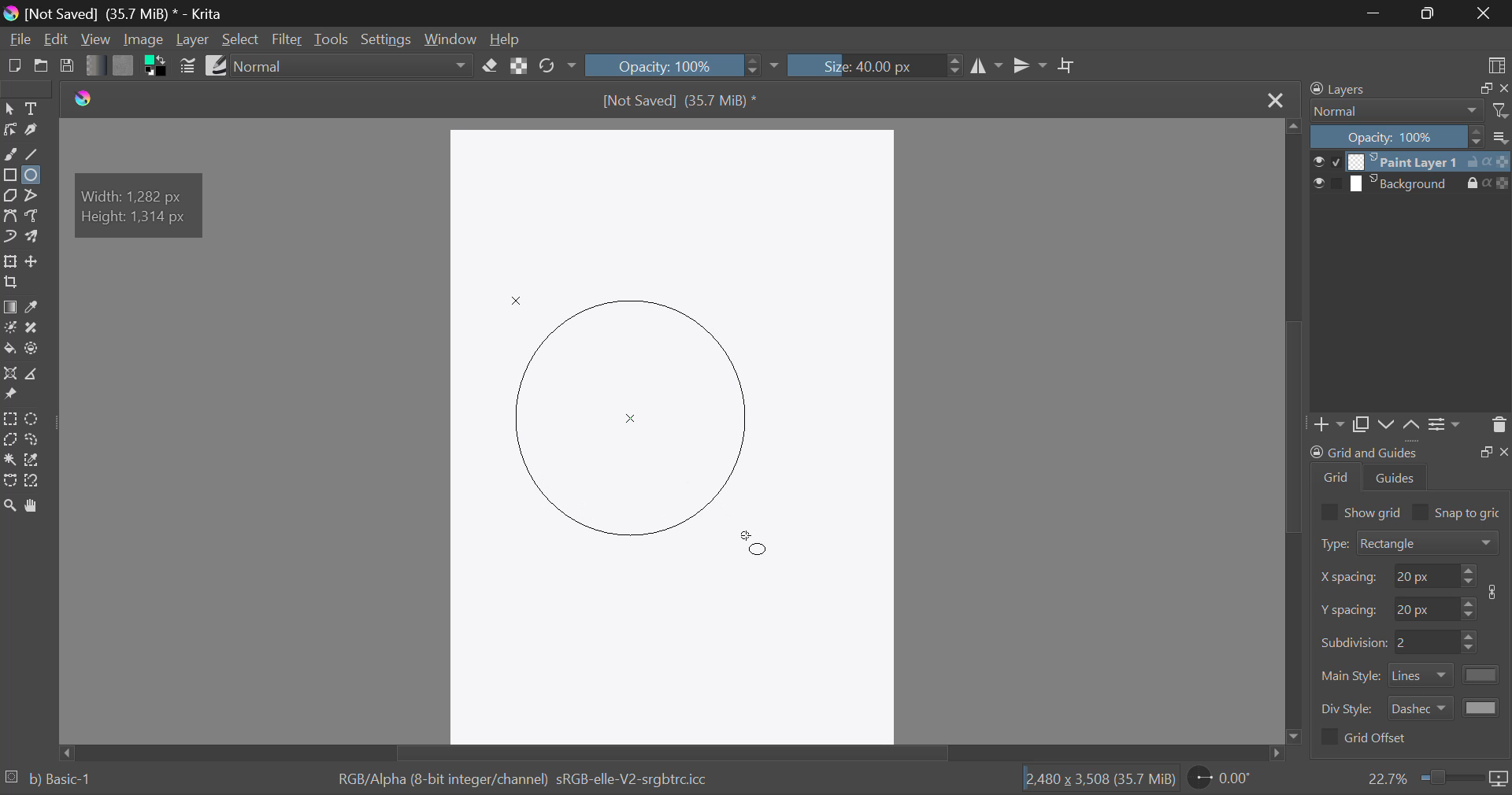 The height and width of the screenshot is (795, 1512). I want to click on Move Layer, so click(34, 262).